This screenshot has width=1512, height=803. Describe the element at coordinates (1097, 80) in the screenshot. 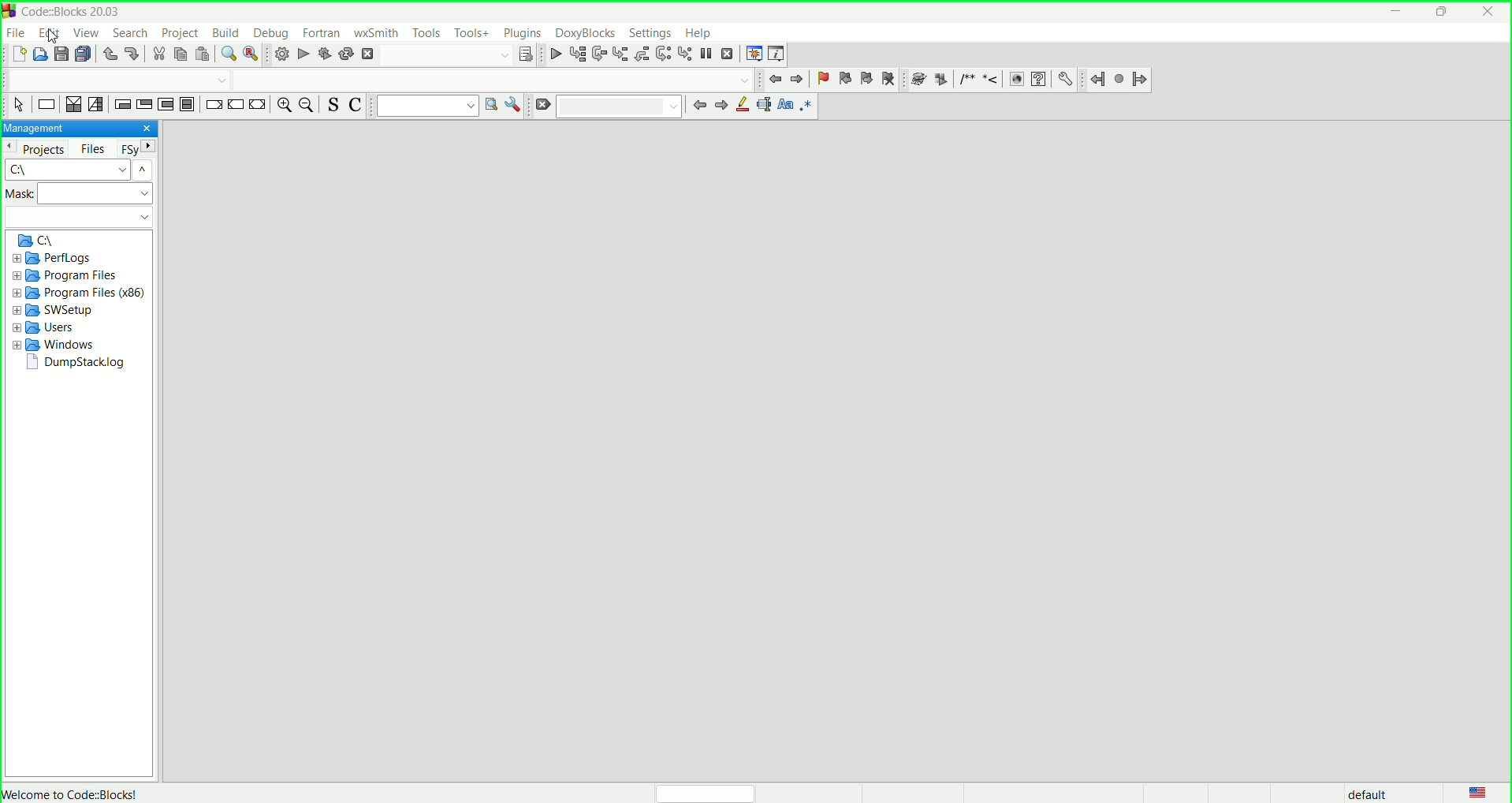

I see `jump back` at that location.